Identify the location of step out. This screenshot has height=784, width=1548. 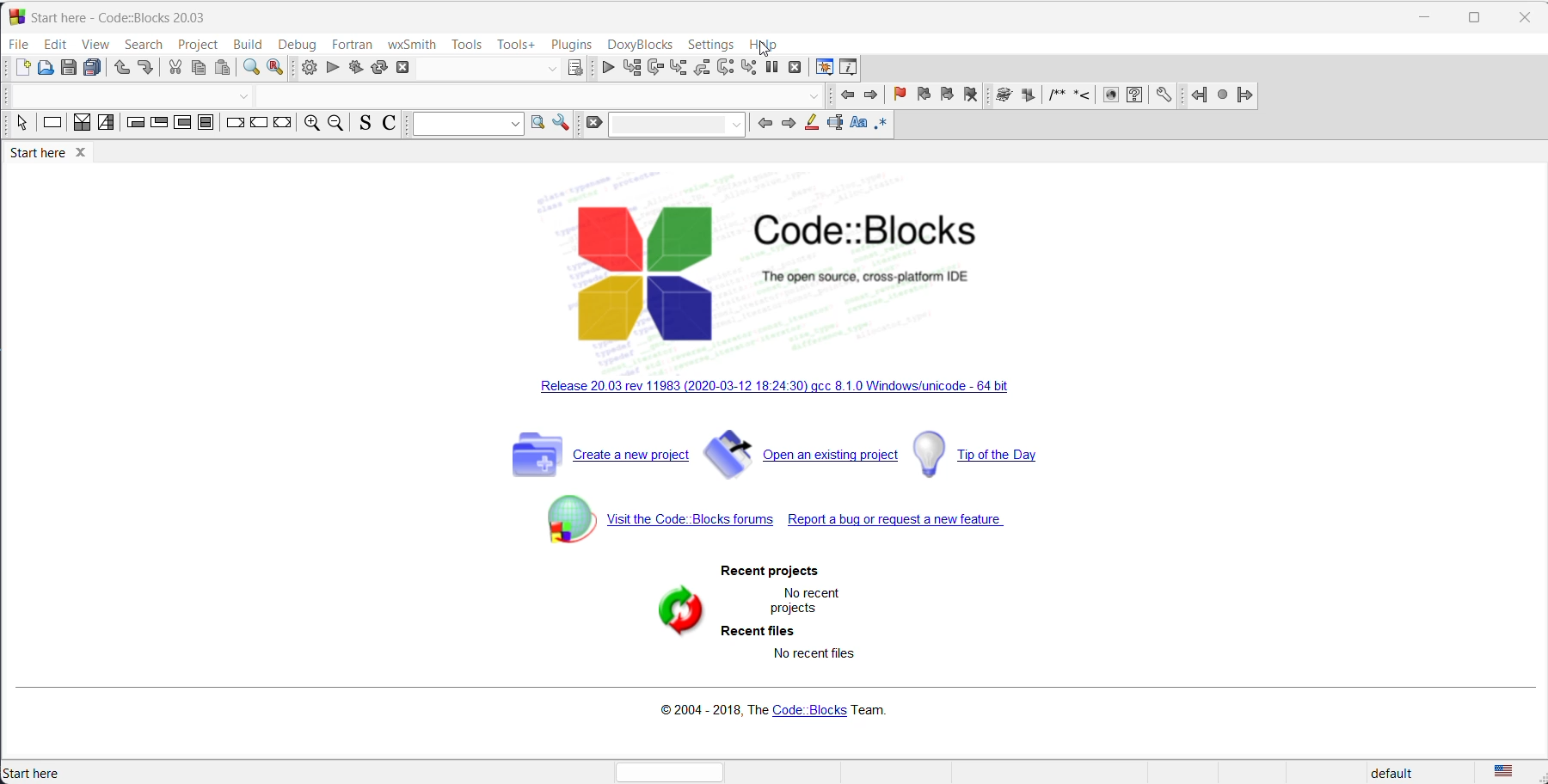
(703, 70).